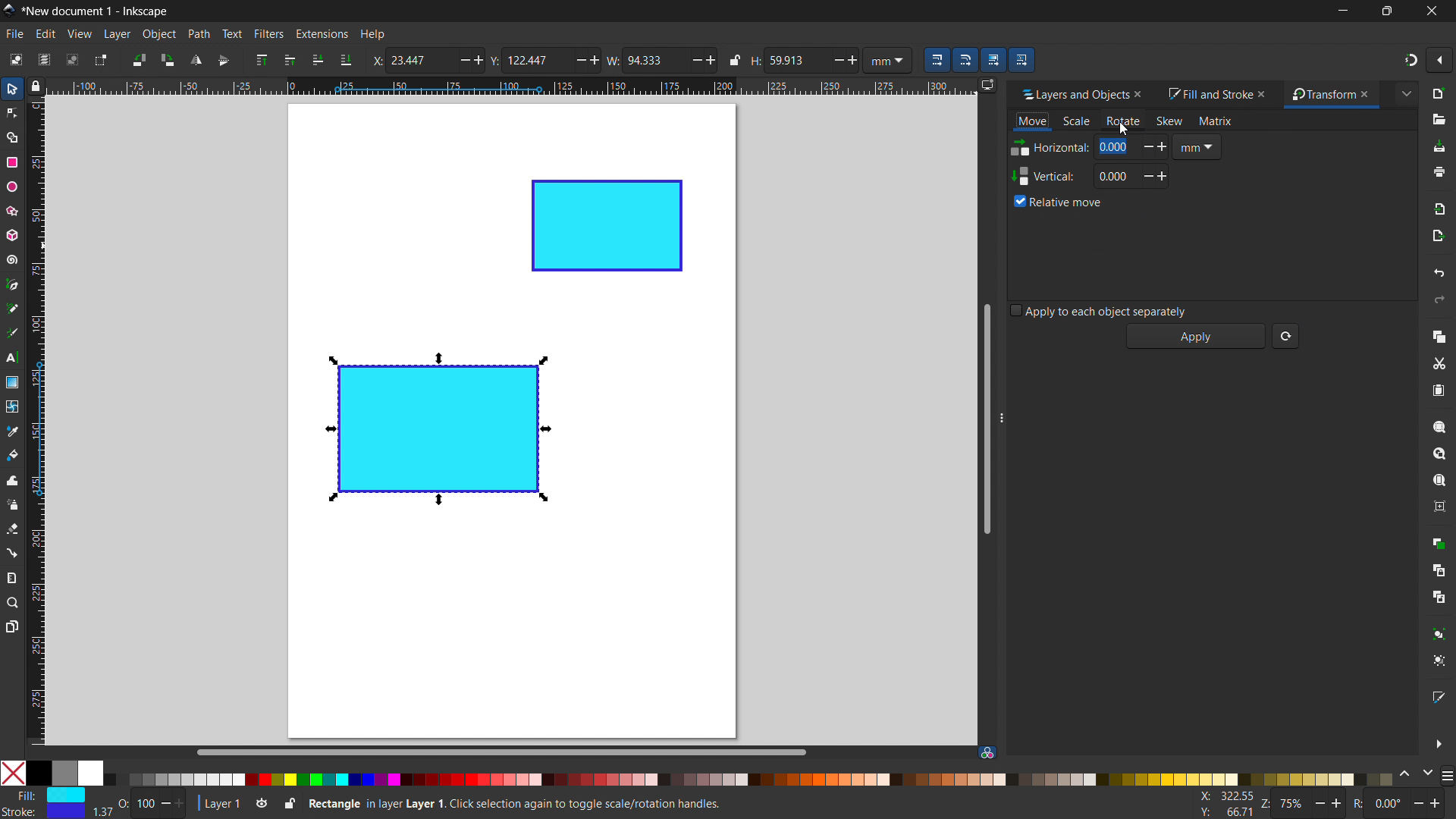 The height and width of the screenshot is (819, 1456). What do you see at coordinates (1131, 146) in the screenshot?
I see `0.000` at bounding box center [1131, 146].